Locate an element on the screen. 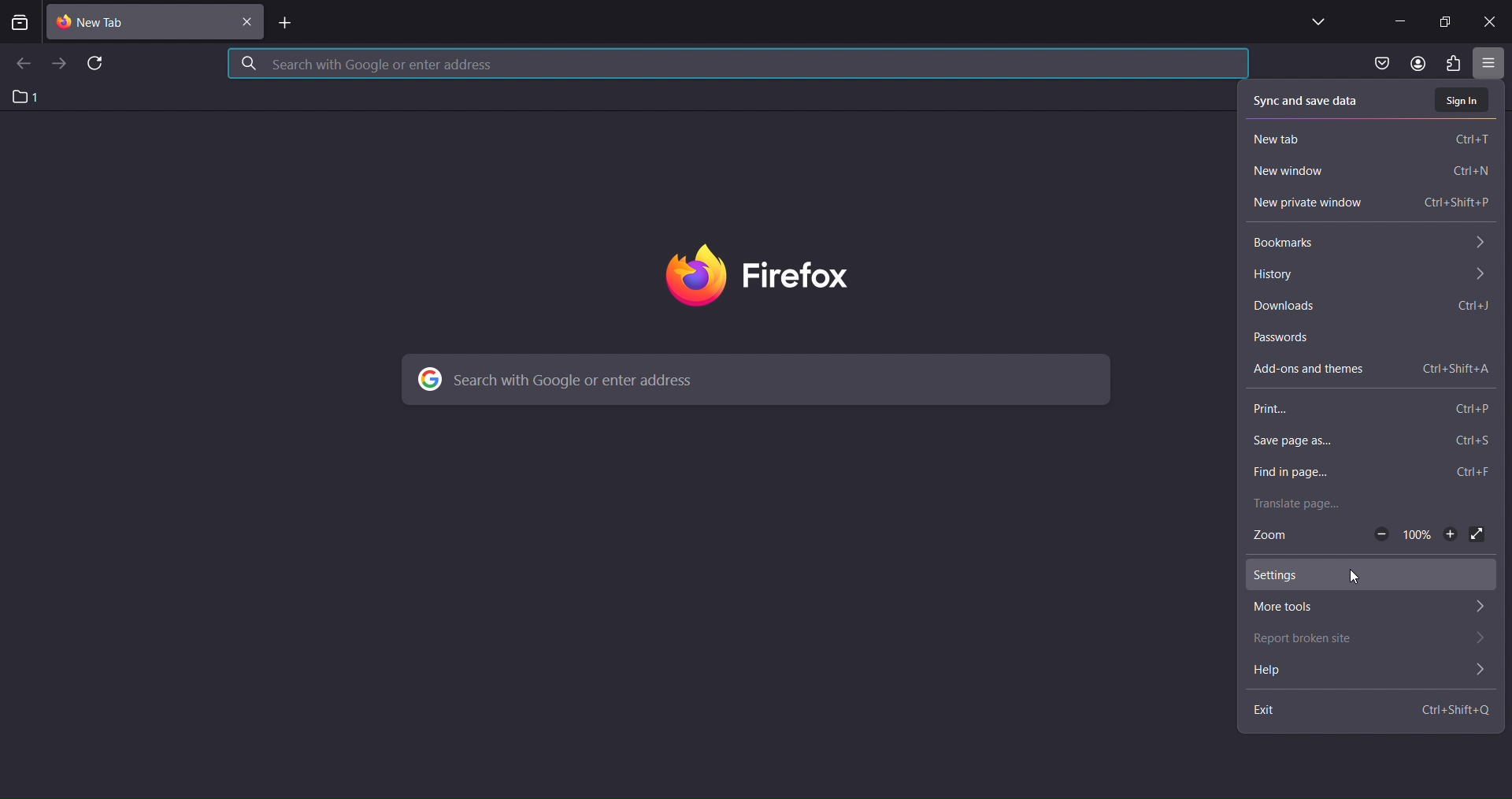 Image resolution: width=1512 pixels, height=799 pixels. zoom  is located at coordinates (1277, 537).